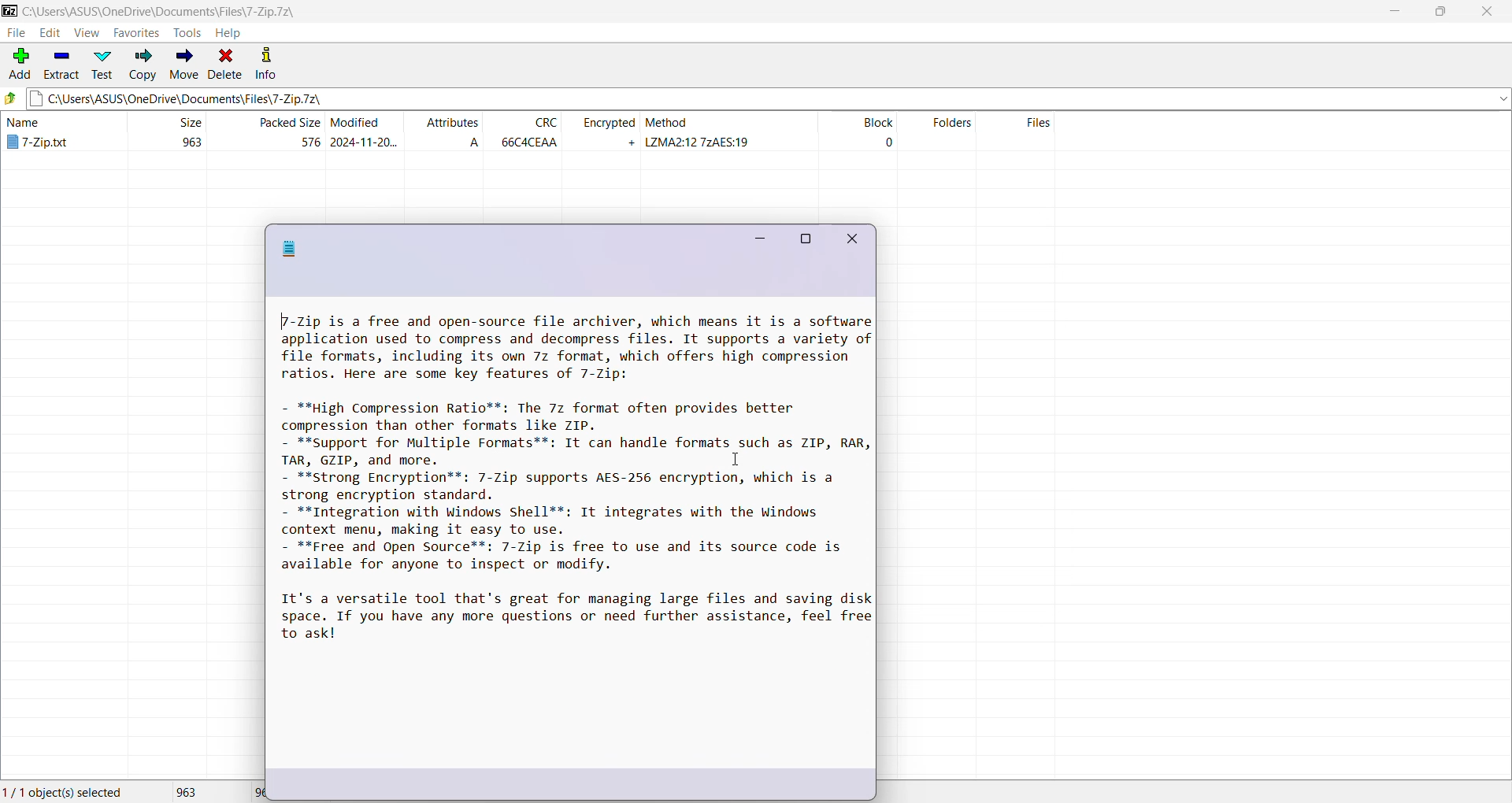 Image resolution: width=1512 pixels, height=803 pixels. Describe the element at coordinates (854, 240) in the screenshot. I see `Close` at that location.